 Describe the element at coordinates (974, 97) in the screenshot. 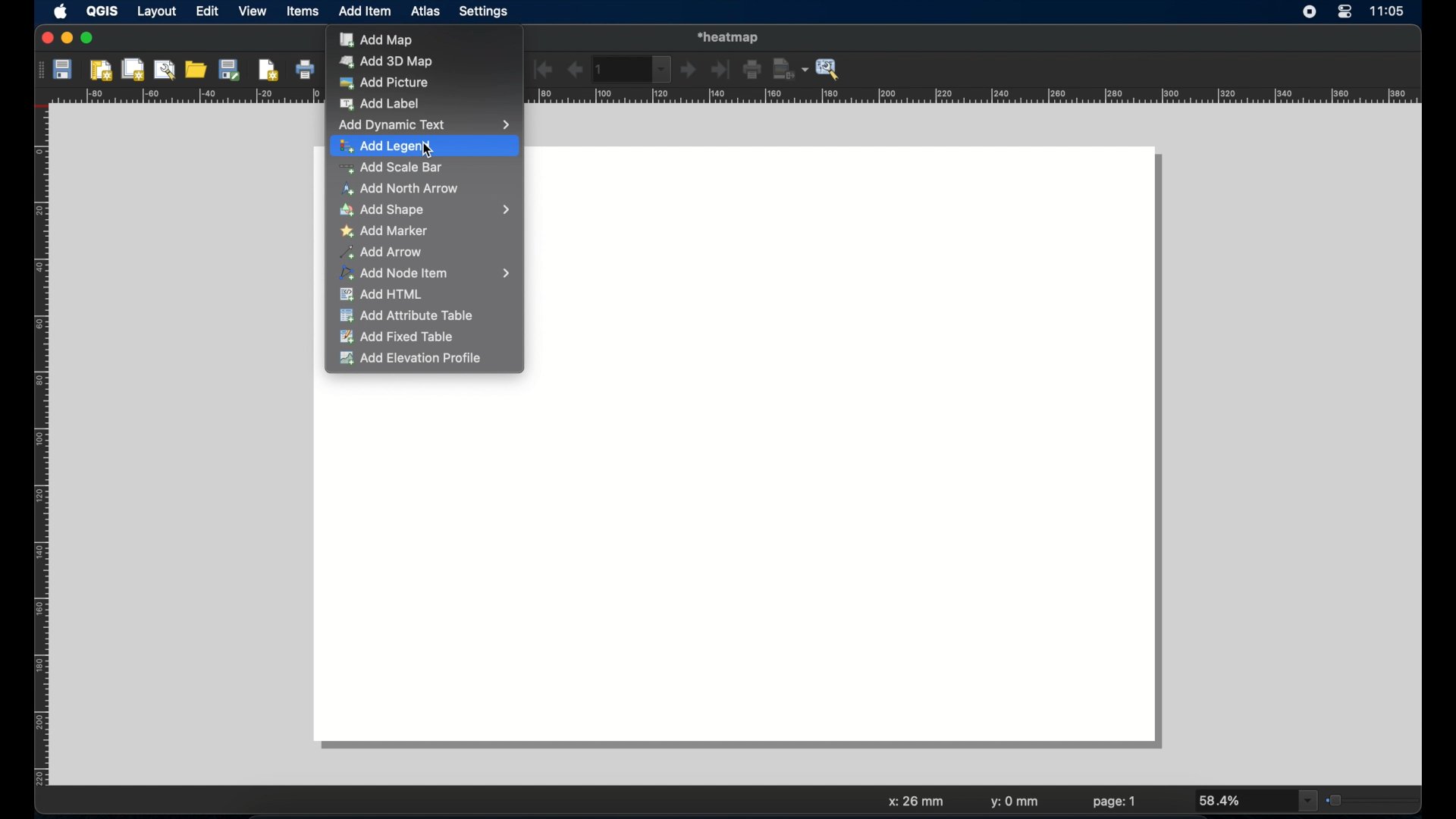

I see `margin` at that location.